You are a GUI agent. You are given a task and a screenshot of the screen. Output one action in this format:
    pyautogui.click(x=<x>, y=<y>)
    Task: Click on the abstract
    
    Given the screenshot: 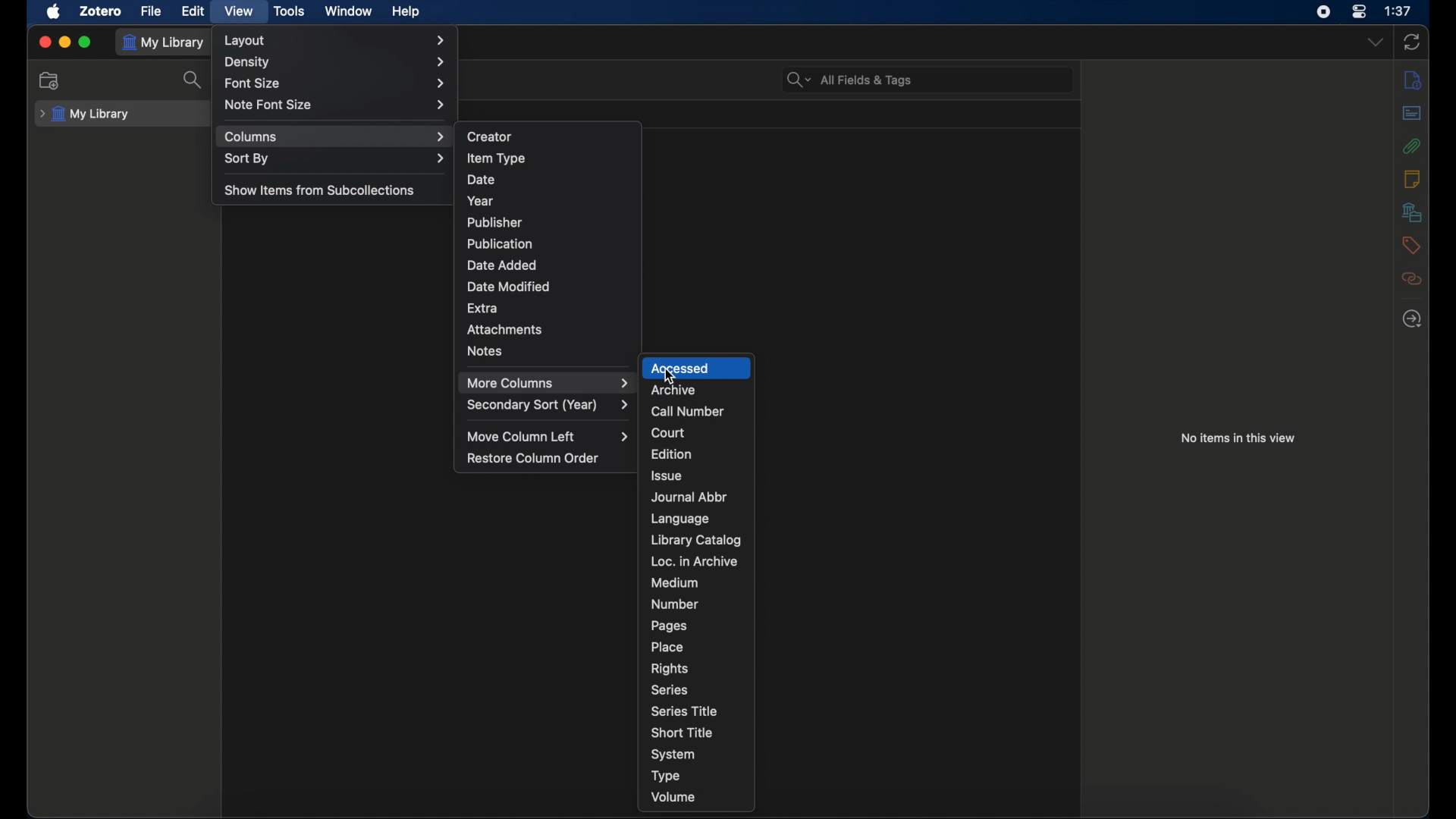 What is the action you would take?
    pyautogui.click(x=1412, y=112)
    